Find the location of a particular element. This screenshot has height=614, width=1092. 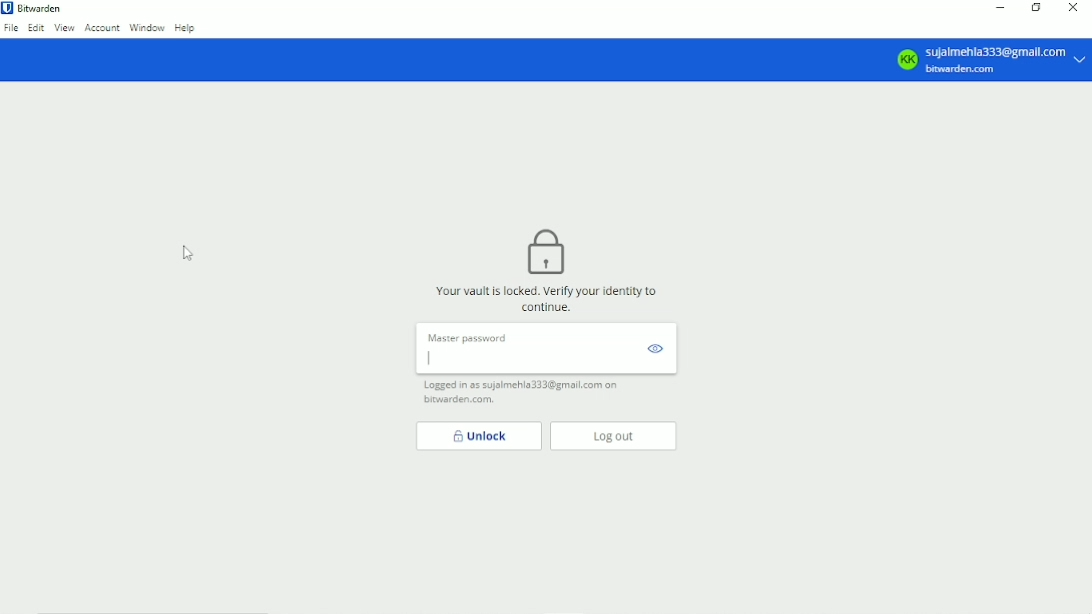

Edit is located at coordinates (35, 29).